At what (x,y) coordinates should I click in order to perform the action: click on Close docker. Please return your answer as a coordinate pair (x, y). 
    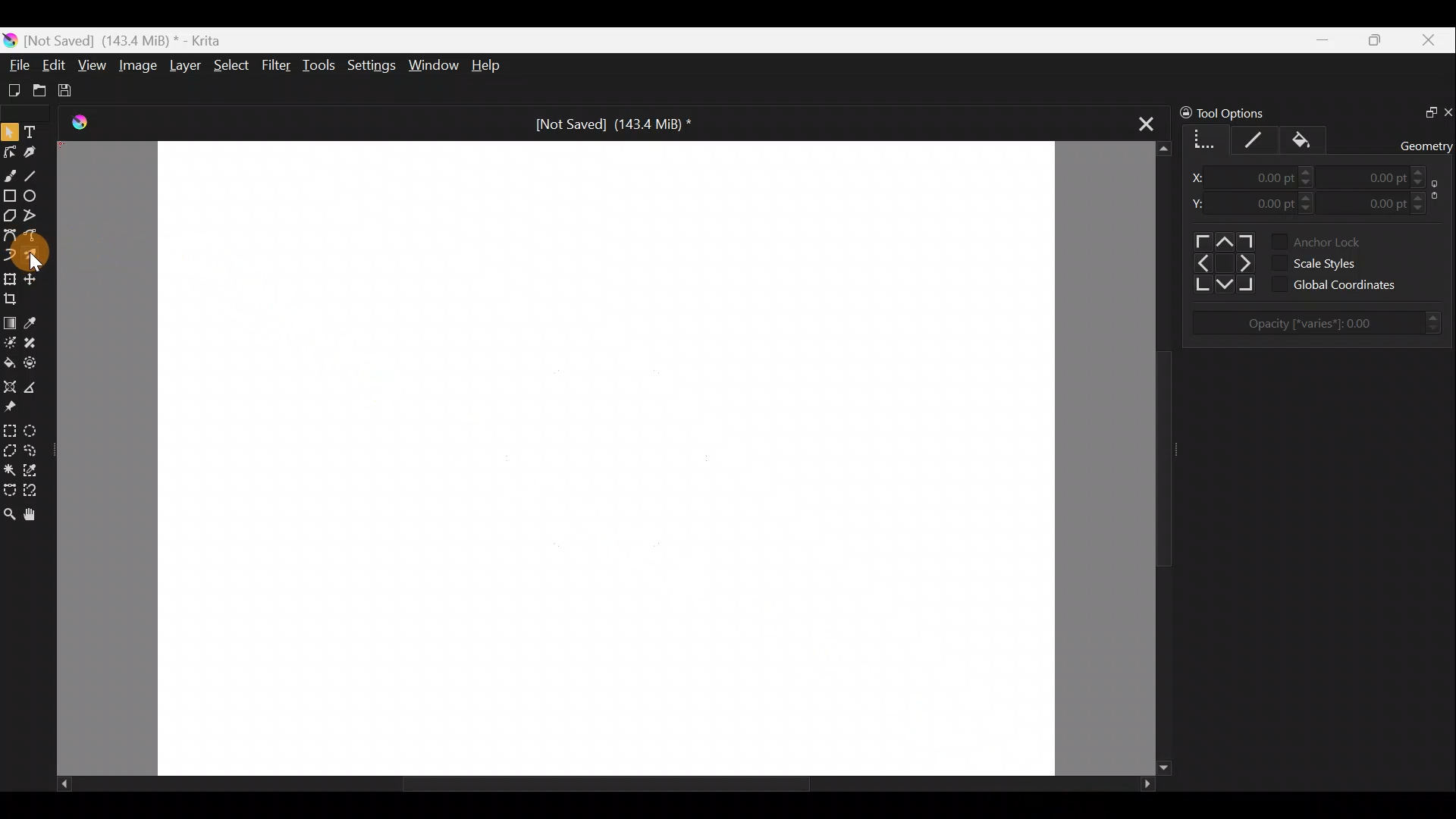
    Looking at the image, I should click on (1447, 109).